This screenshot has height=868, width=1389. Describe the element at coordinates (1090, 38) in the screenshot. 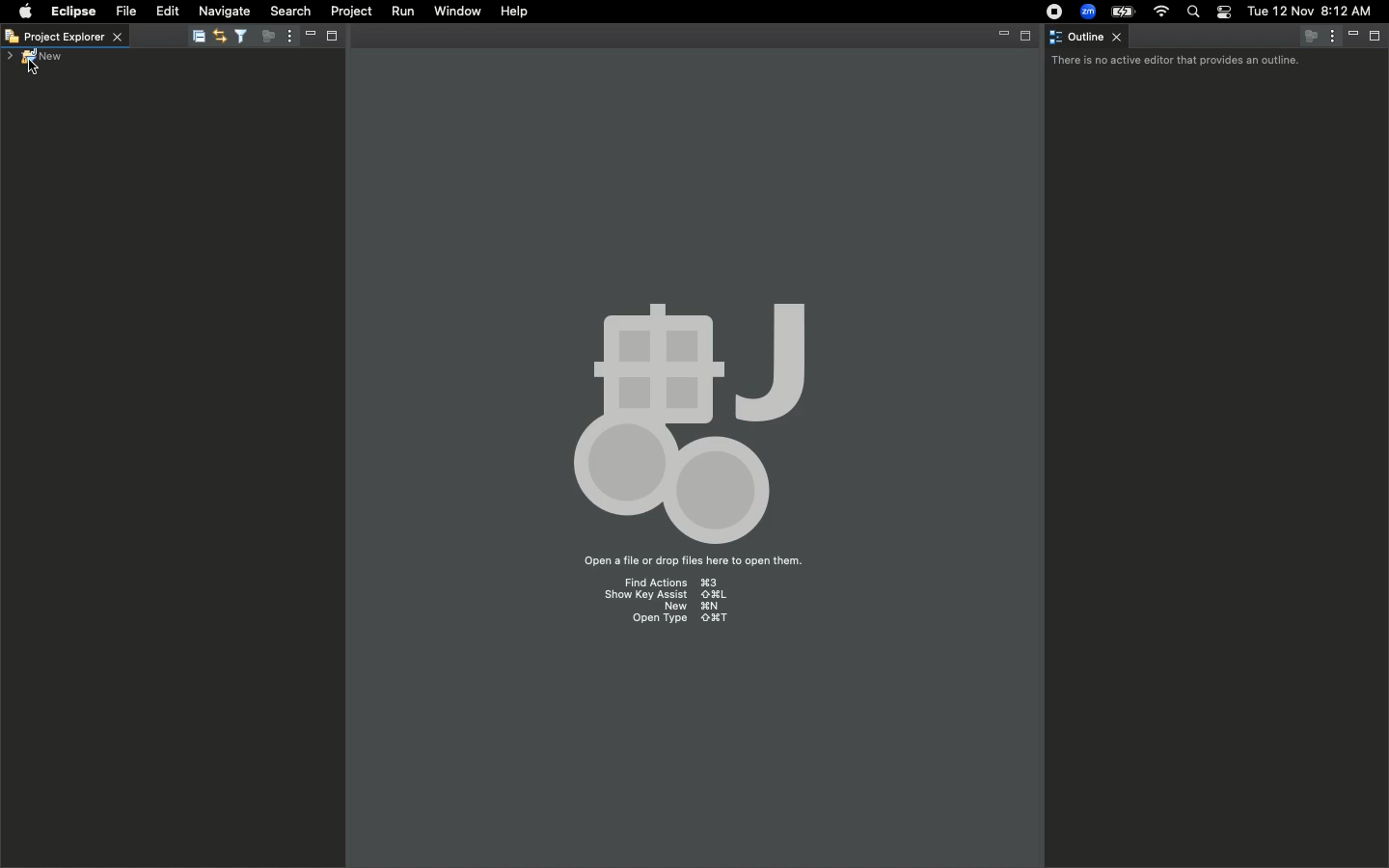

I see `Outline` at that location.